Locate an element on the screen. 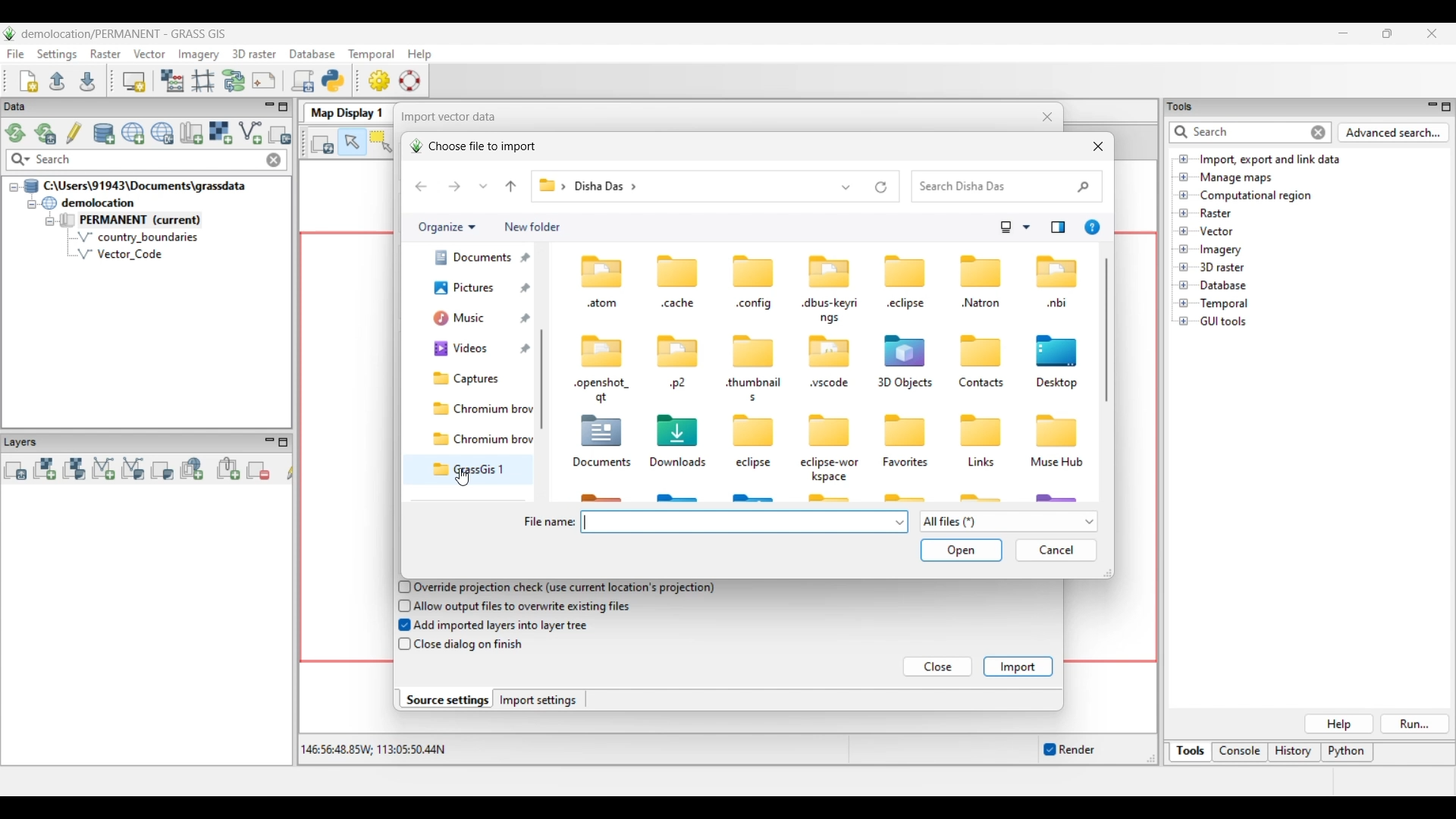  icon is located at coordinates (751, 352).